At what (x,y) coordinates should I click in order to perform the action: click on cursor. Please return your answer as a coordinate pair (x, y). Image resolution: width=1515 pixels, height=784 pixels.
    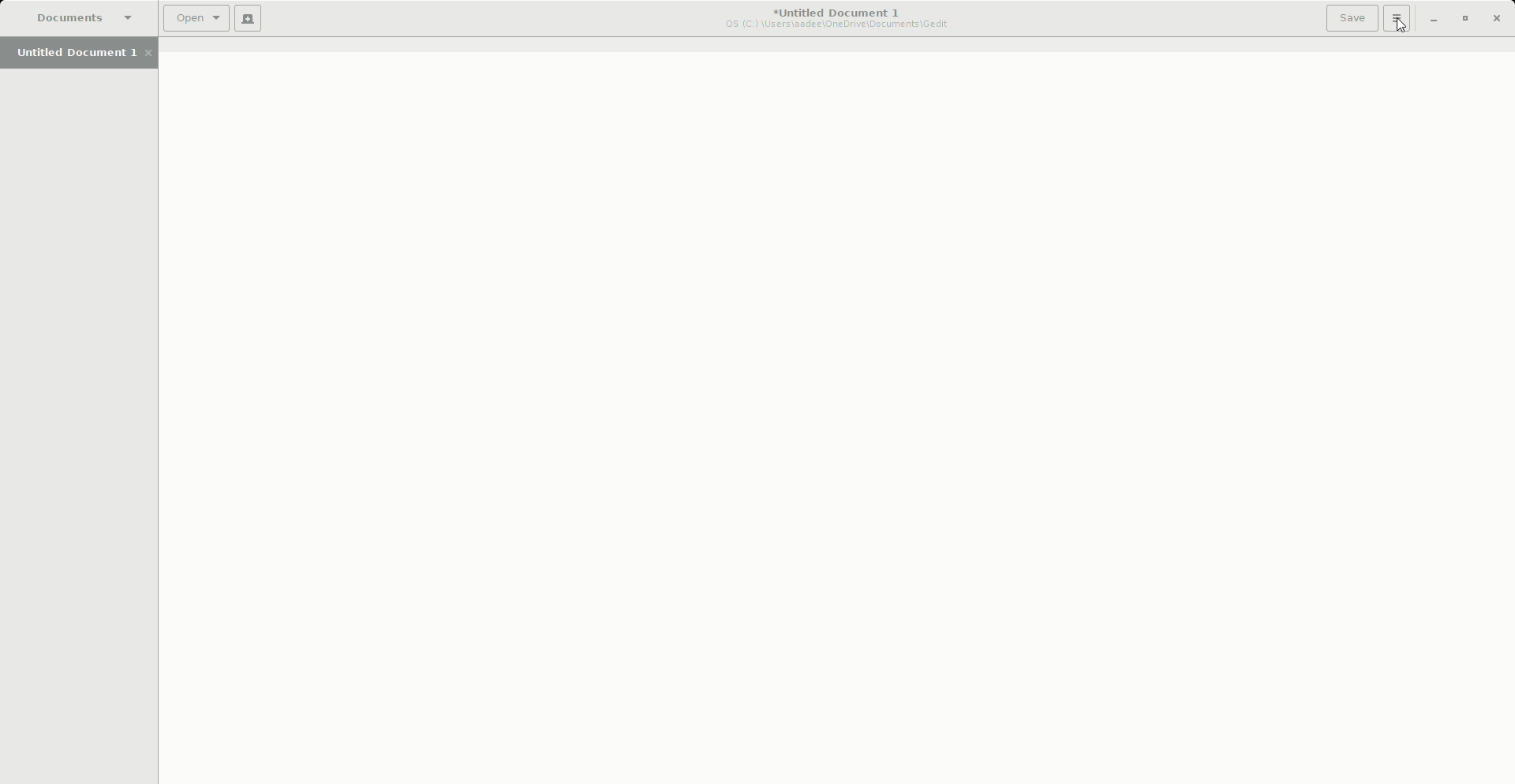
    Looking at the image, I should click on (1405, 32).